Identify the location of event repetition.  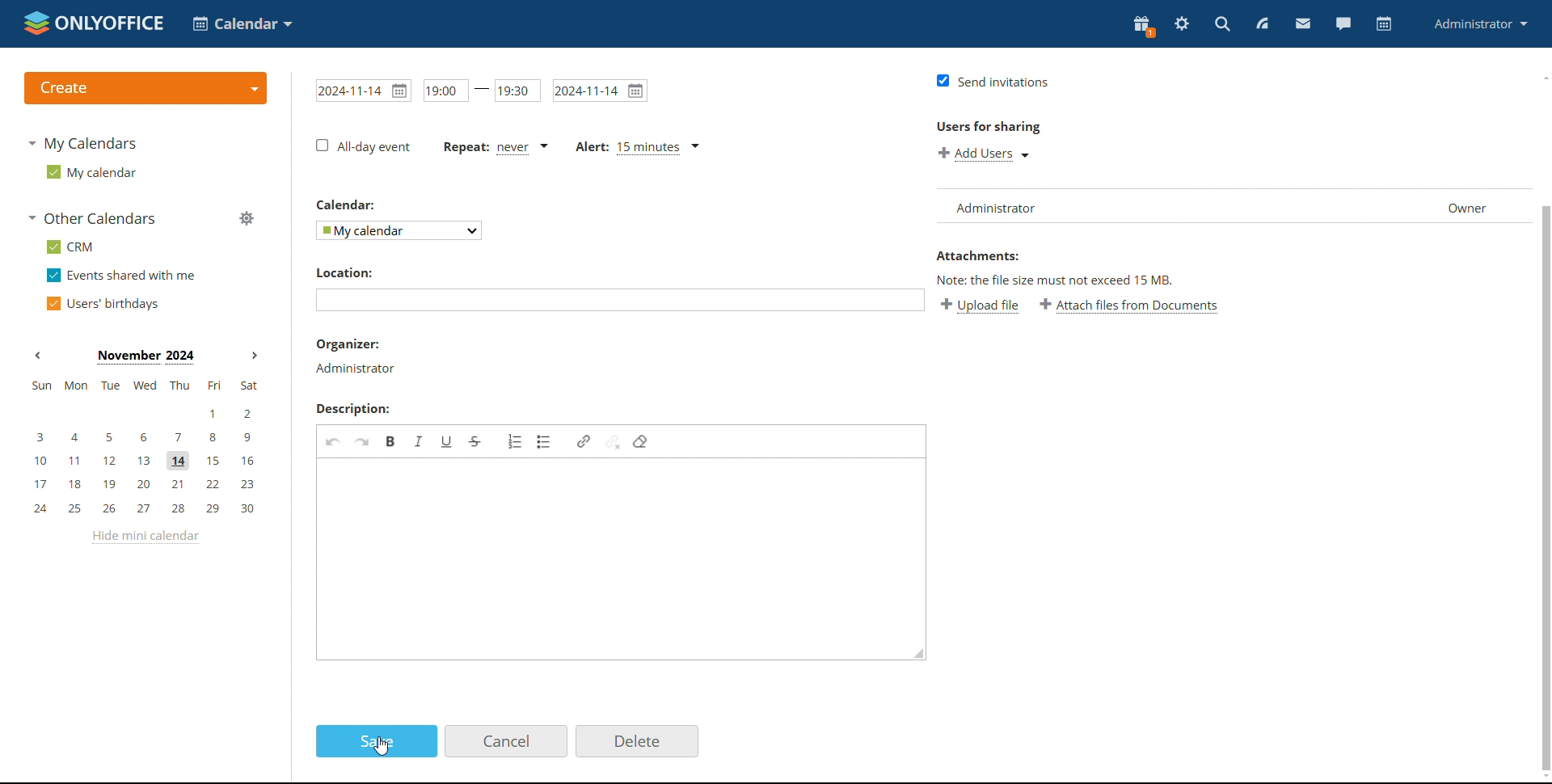
(497, 147).